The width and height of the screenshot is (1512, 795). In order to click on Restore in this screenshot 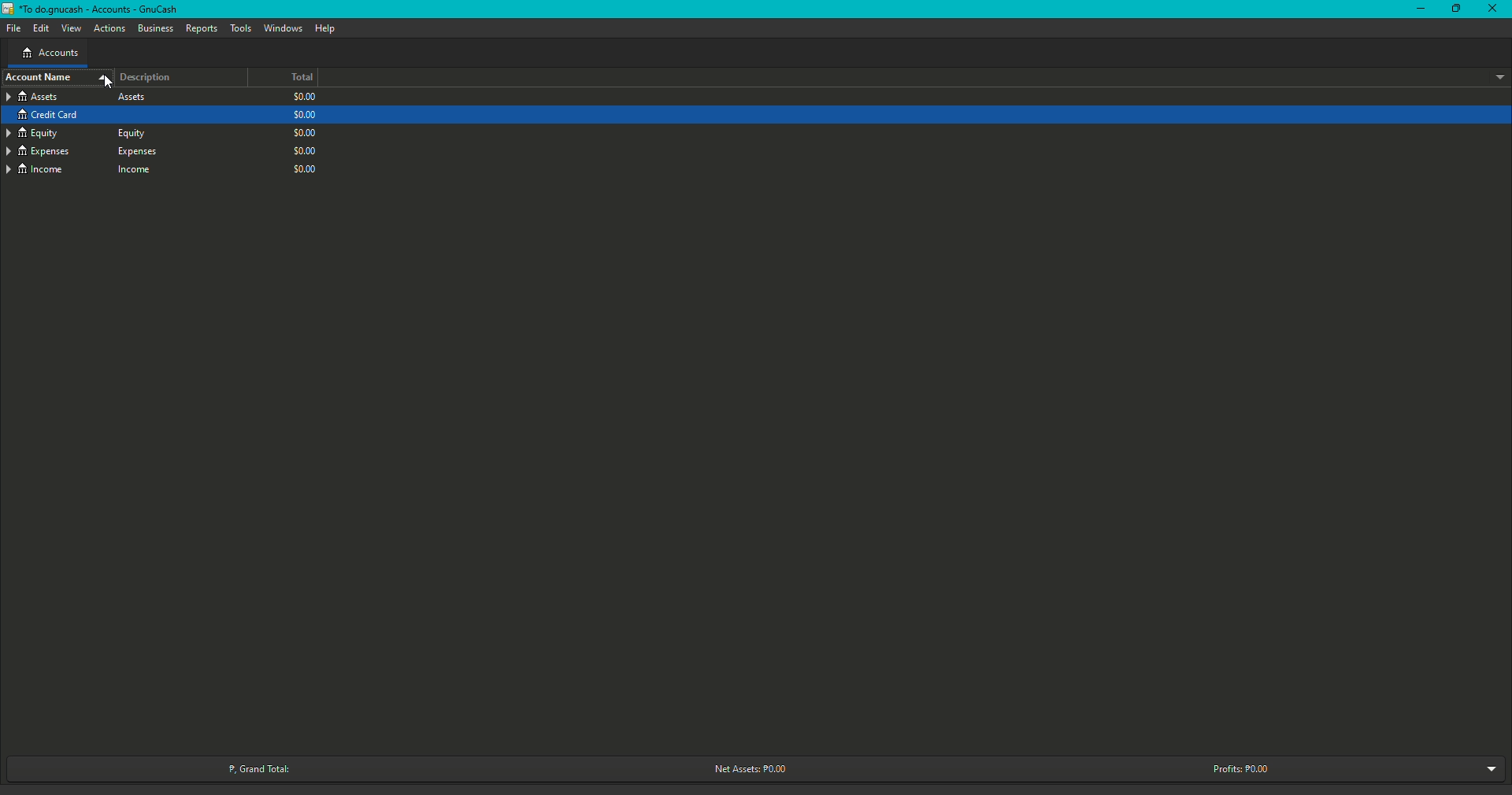, I will do `click(1453, 9)`.